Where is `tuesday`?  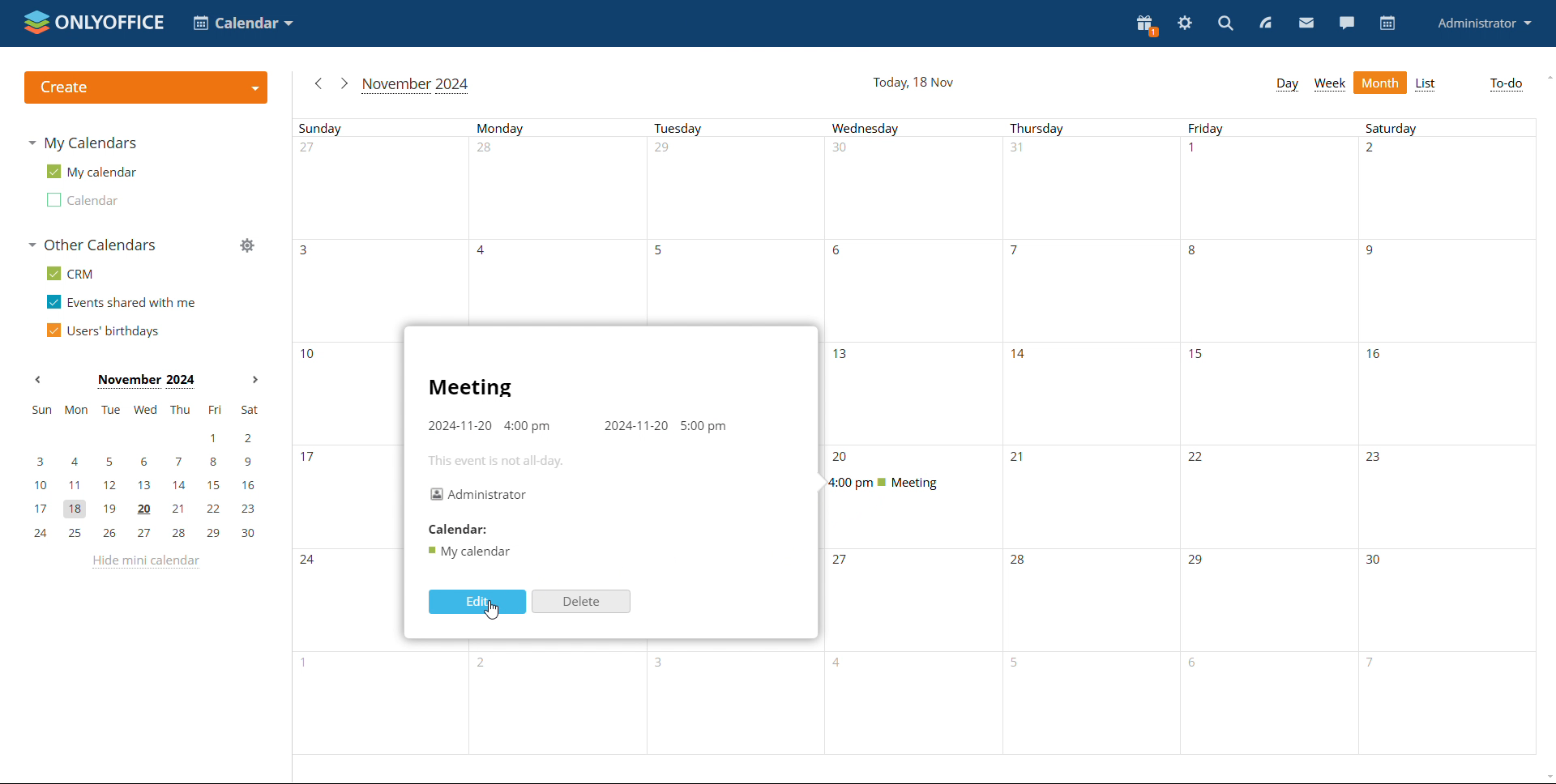
tuesday is located at coordinates (737, 701).